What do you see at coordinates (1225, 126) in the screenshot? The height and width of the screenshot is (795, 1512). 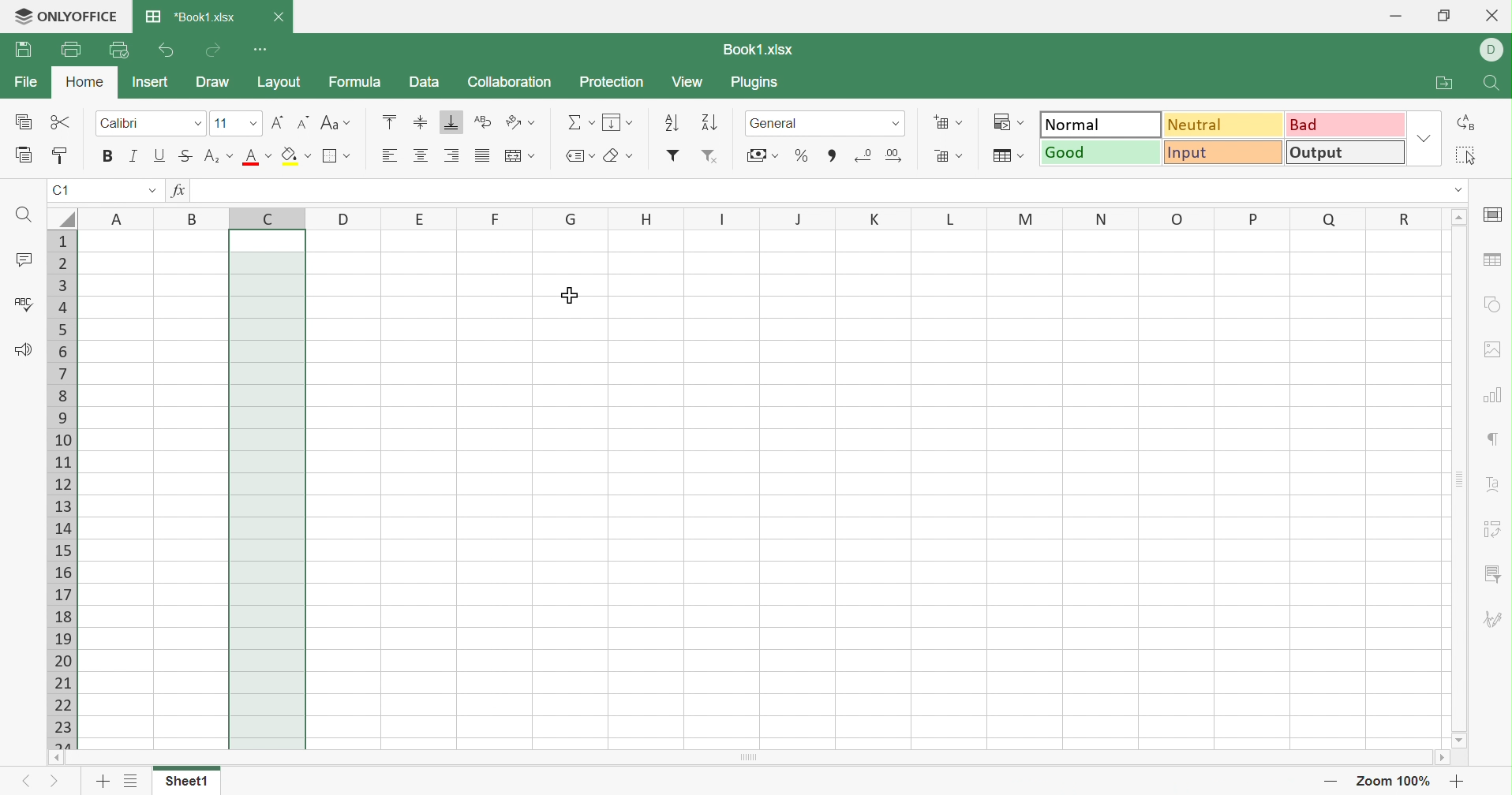 I see `Neutral` at bounding box center [1225, 126].